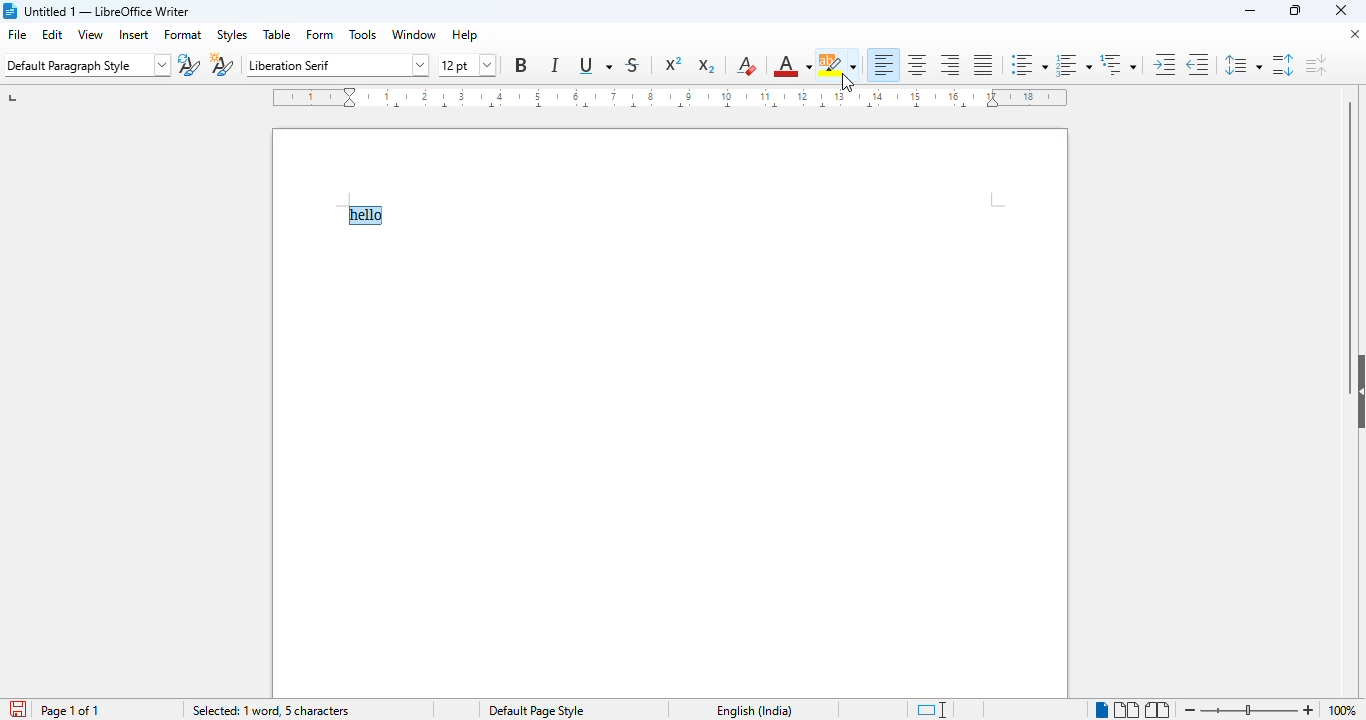 This screenshot has height=720, width=1366. Describe the element at coordinates (742, 711) in the screenshot. I see `text language` at that location.